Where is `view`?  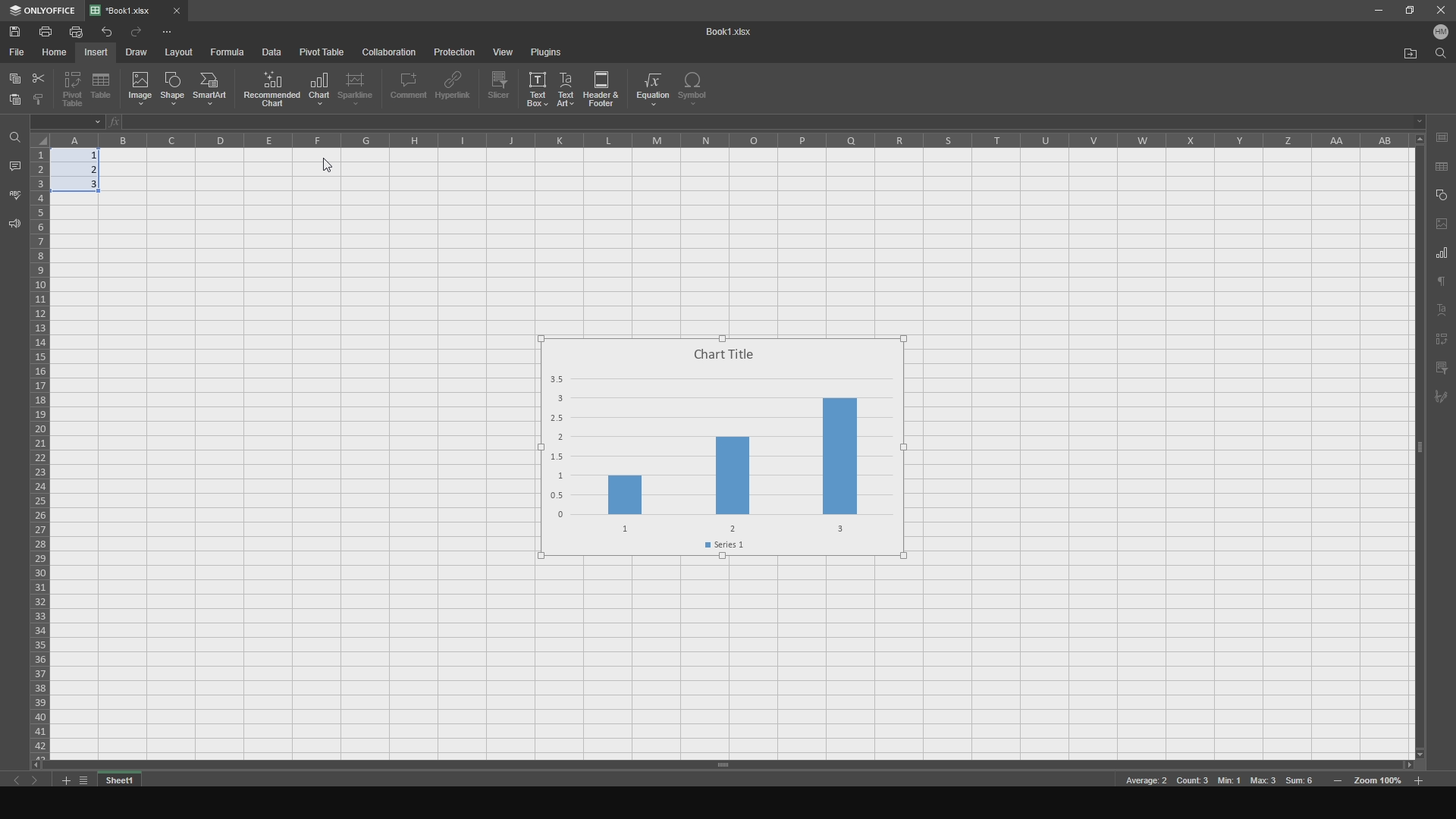 view is located at coordinates (504, 50).